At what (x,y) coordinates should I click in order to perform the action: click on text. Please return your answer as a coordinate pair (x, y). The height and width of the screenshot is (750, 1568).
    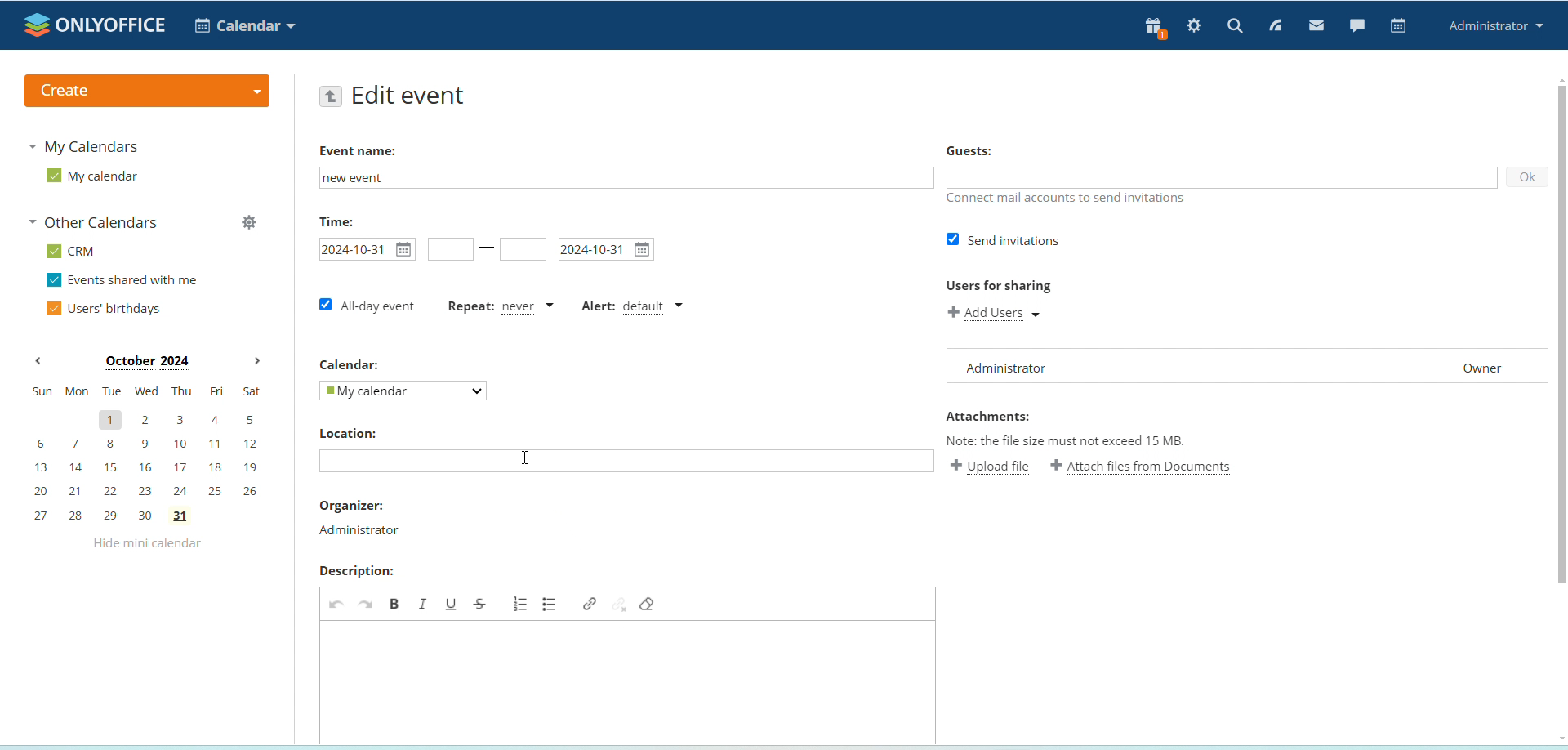
    Looking at the image, I should click on (1137, 199).